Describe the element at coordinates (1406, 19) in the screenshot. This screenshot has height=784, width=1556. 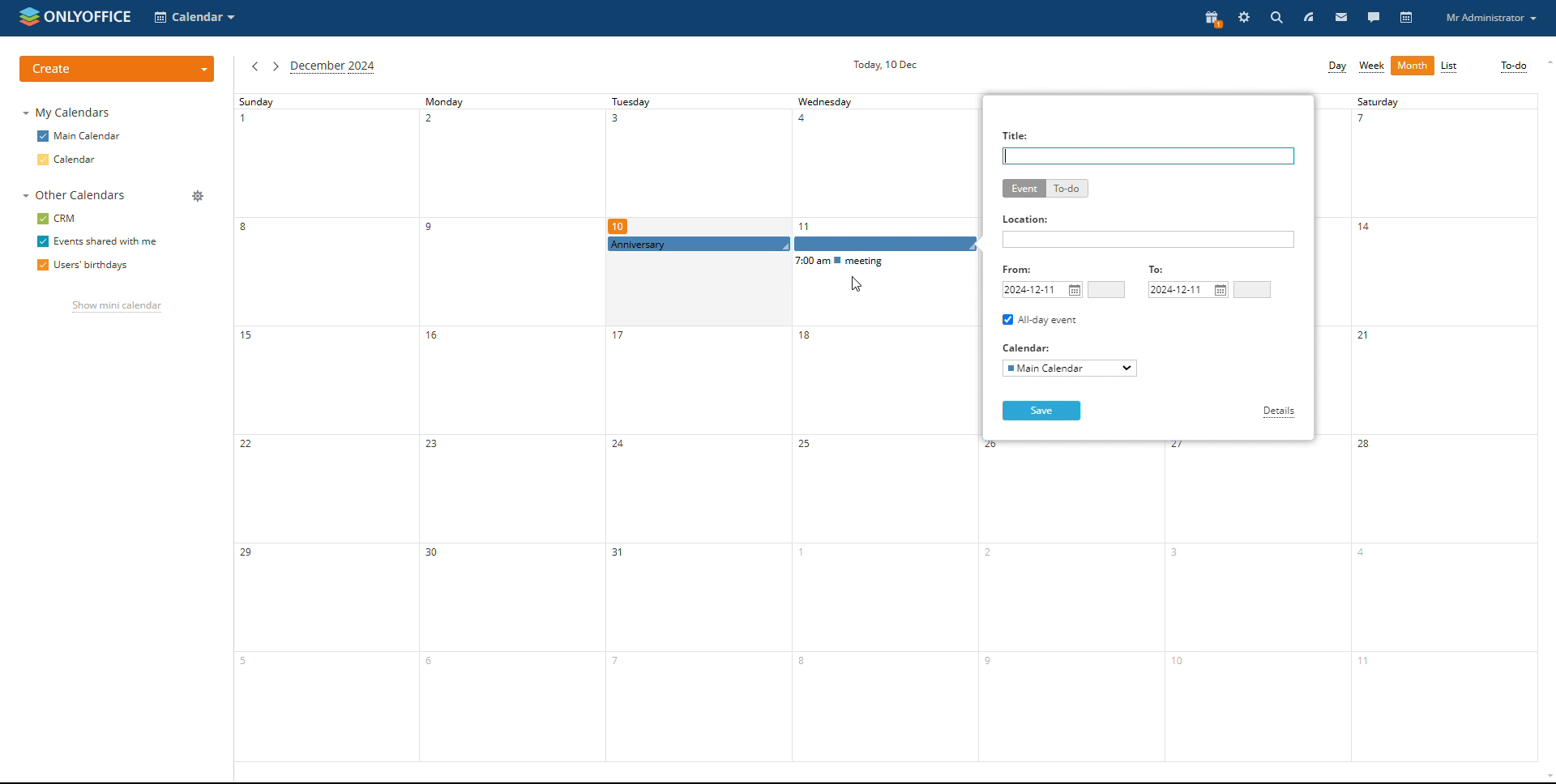
I see `calendar` at that location.